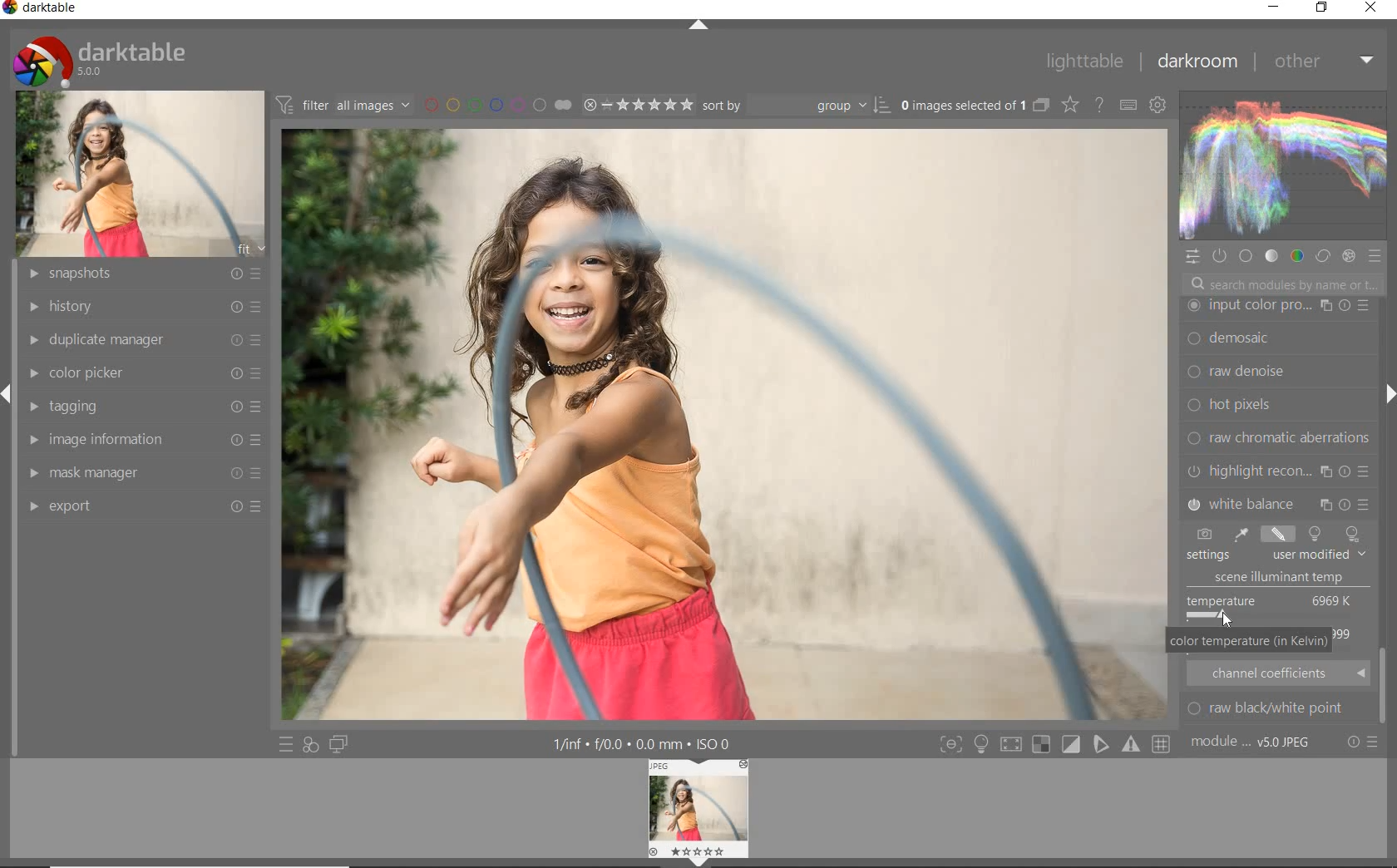 This screenshot has height=868, width=1397. Describe the element at coordinates (1084, 62) in the screenshot. I see `lighttable` at that location.